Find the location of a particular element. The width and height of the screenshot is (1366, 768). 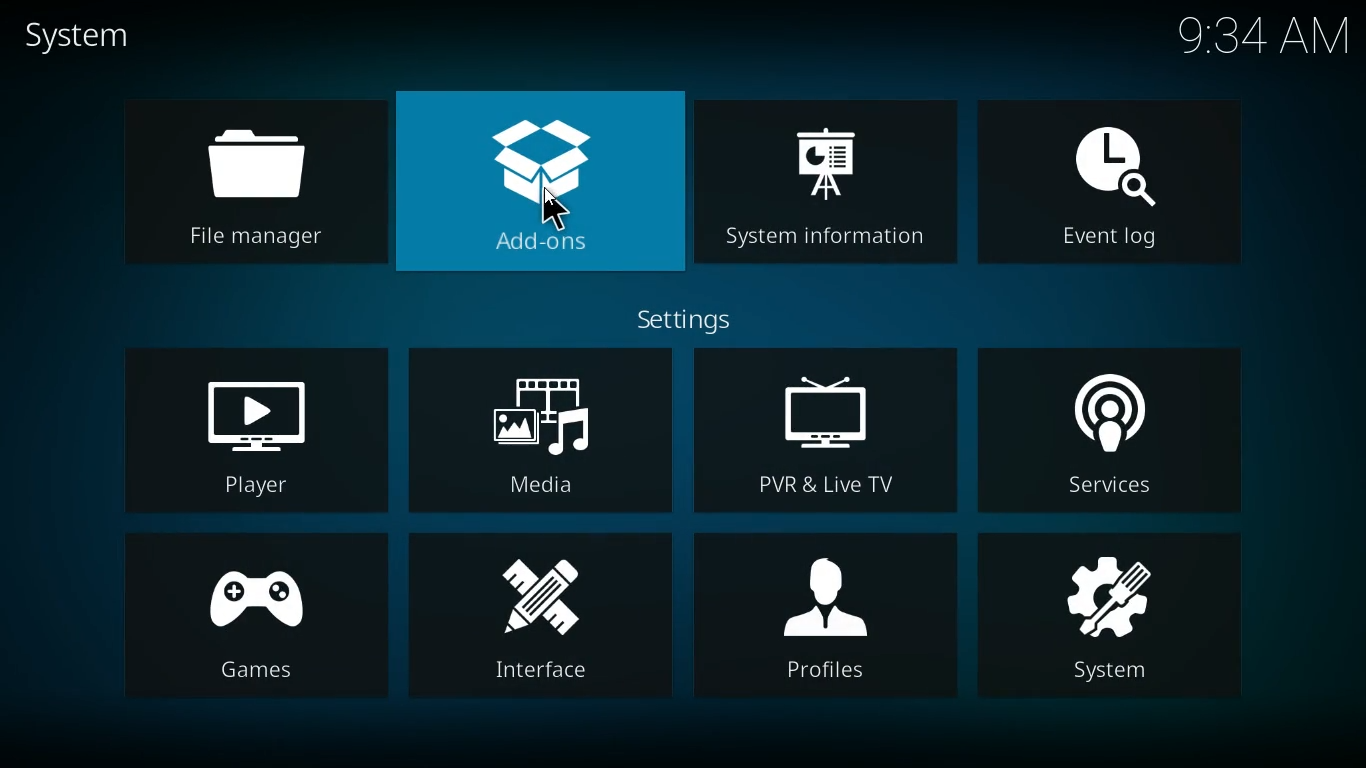

system is located at coordinates (85, 38).